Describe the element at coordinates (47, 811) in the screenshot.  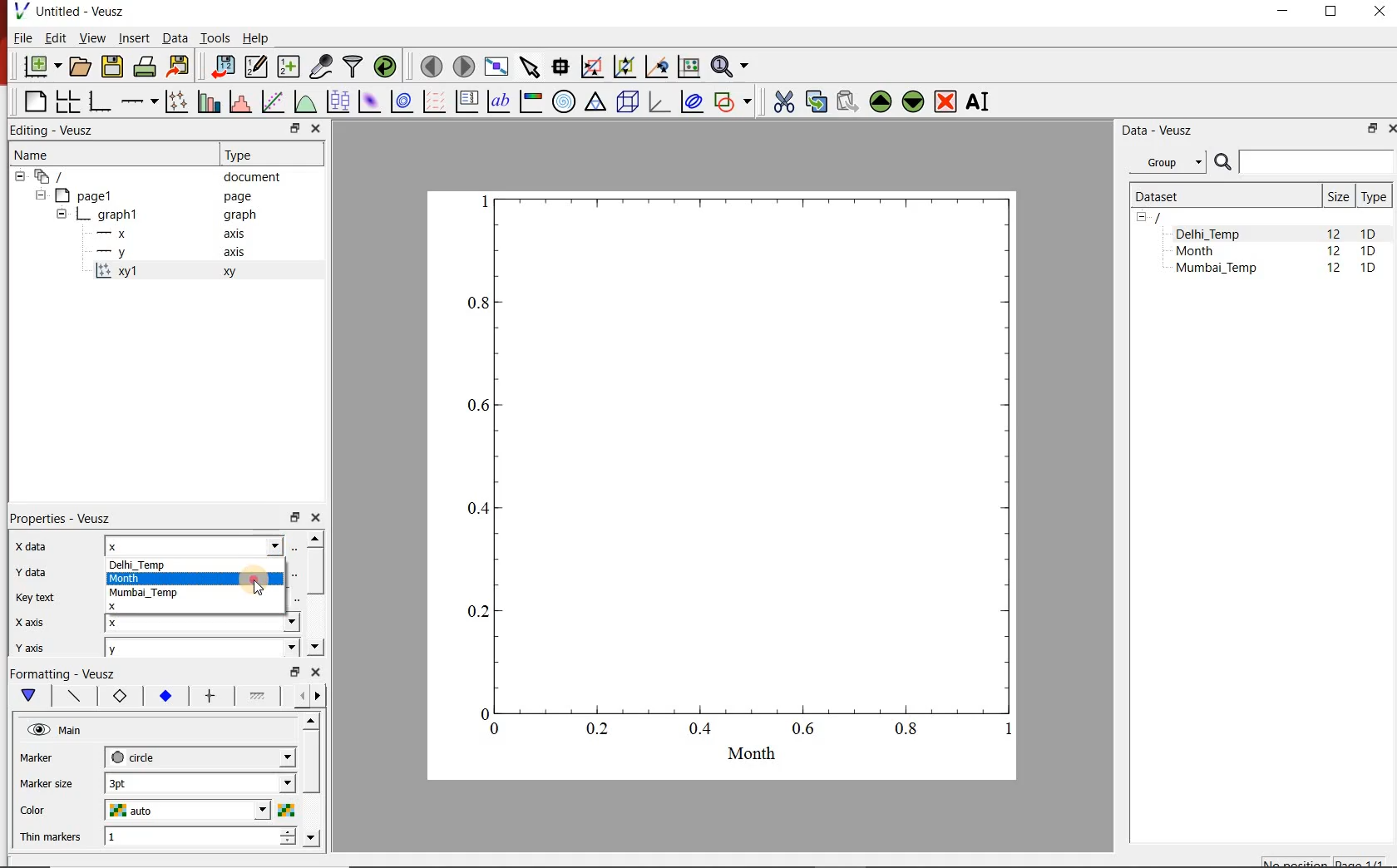
I see `color` at that location.